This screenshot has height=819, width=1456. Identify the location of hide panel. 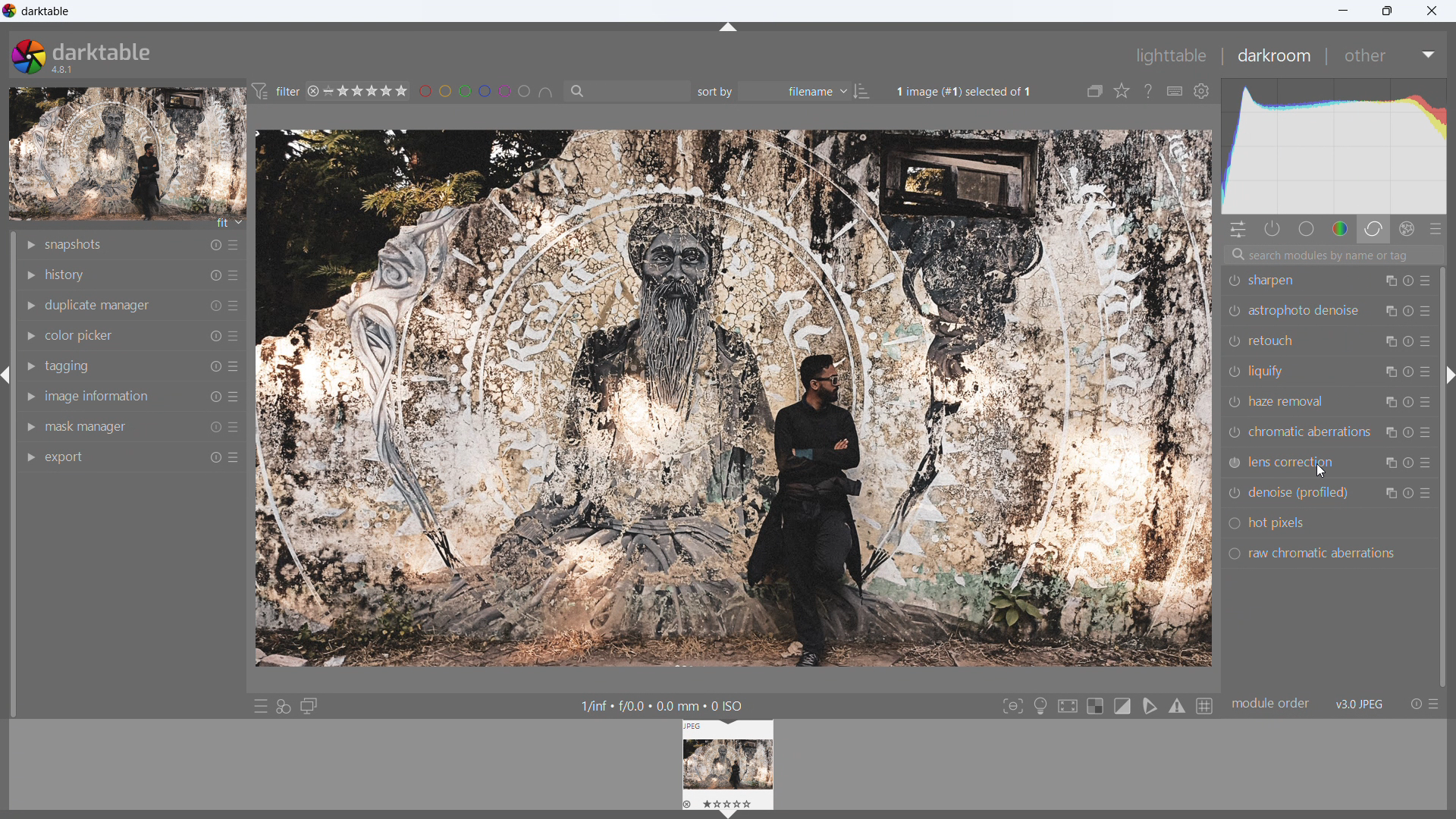
(730, 27).